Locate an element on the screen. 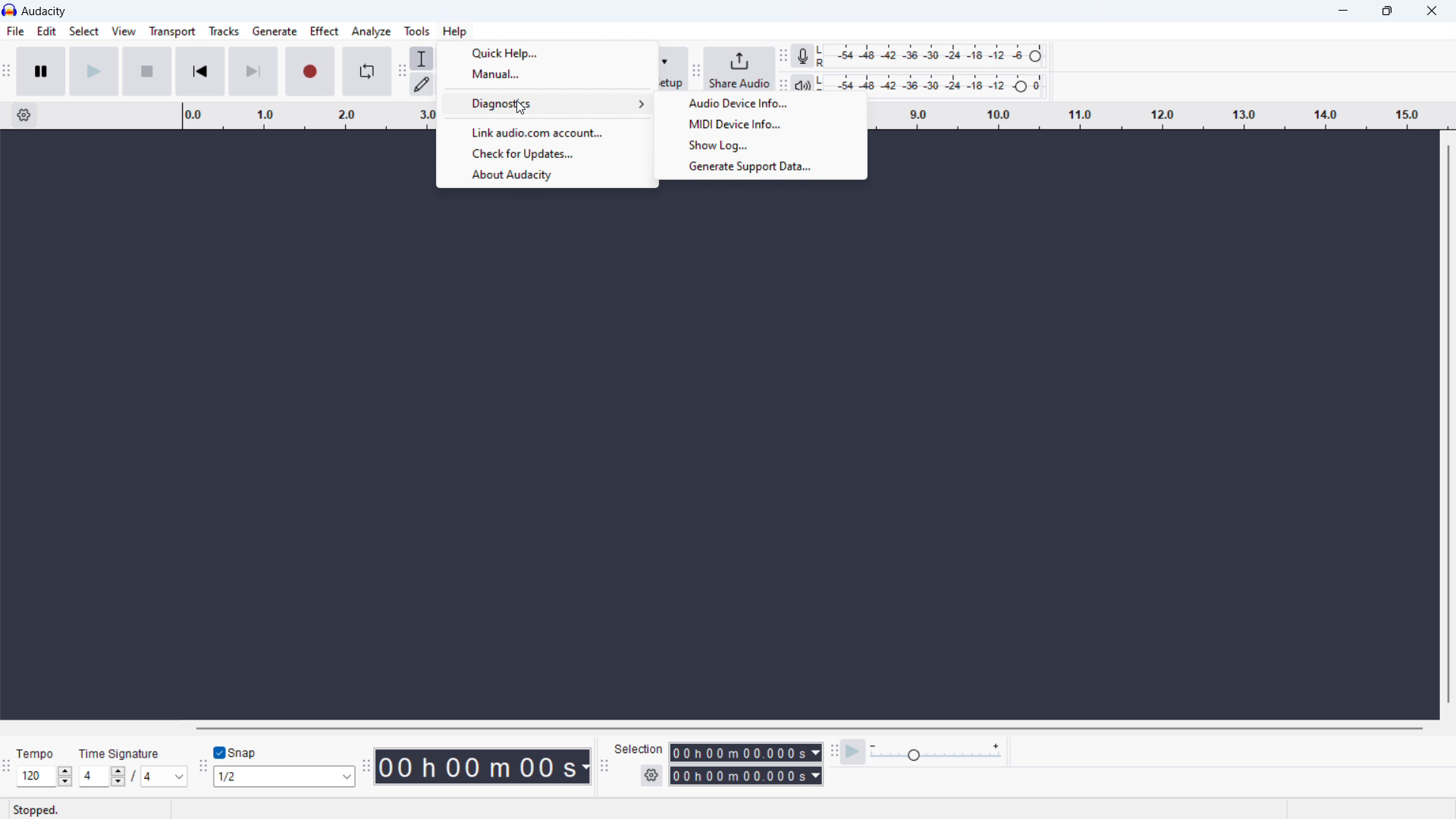  horizontal scrollbar is located at coordinates (805, 728).